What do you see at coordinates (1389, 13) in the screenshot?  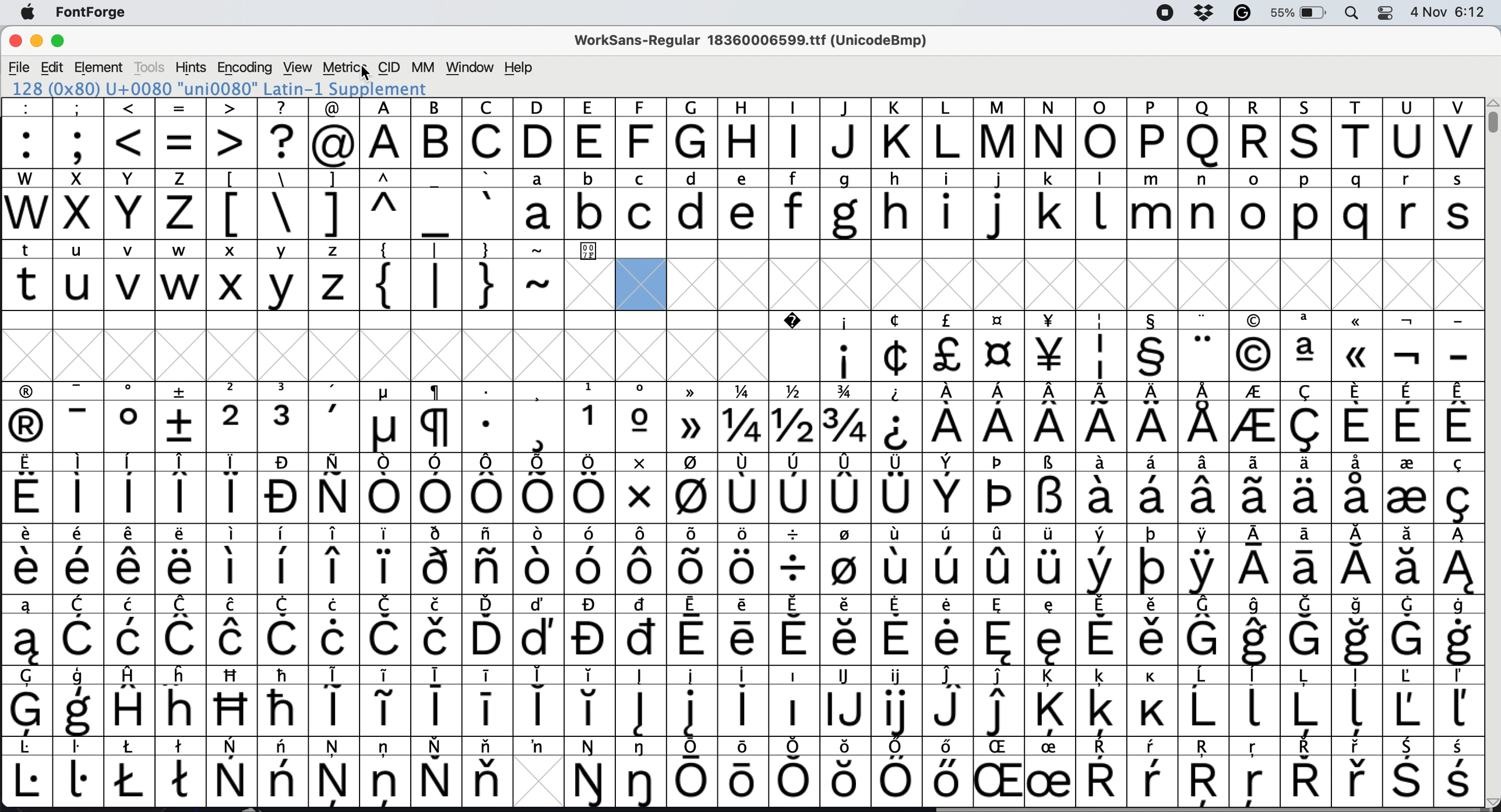 I see `control center` at bounding box center [1389, 13].